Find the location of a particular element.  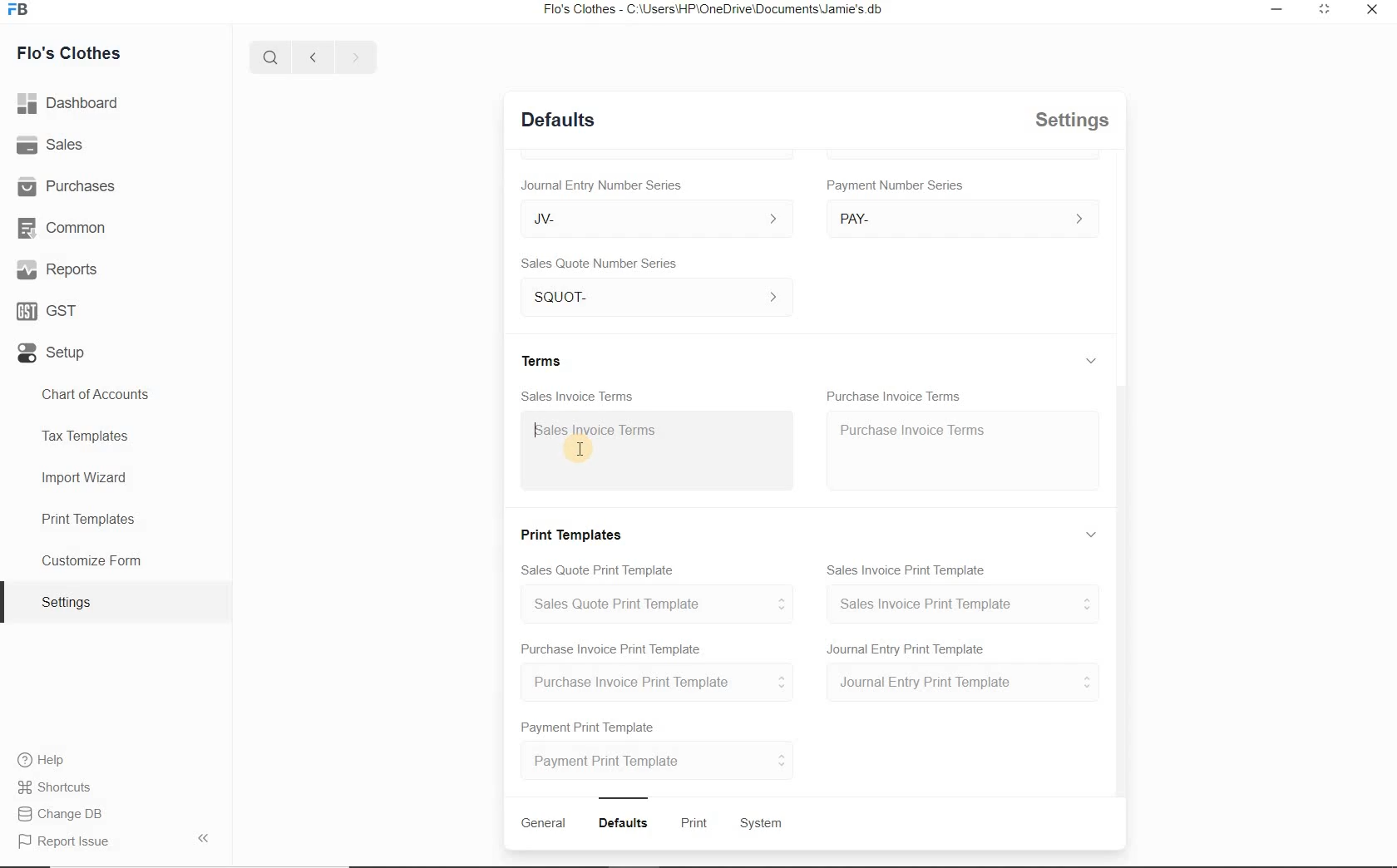

System is located at coordinates (763, 824).